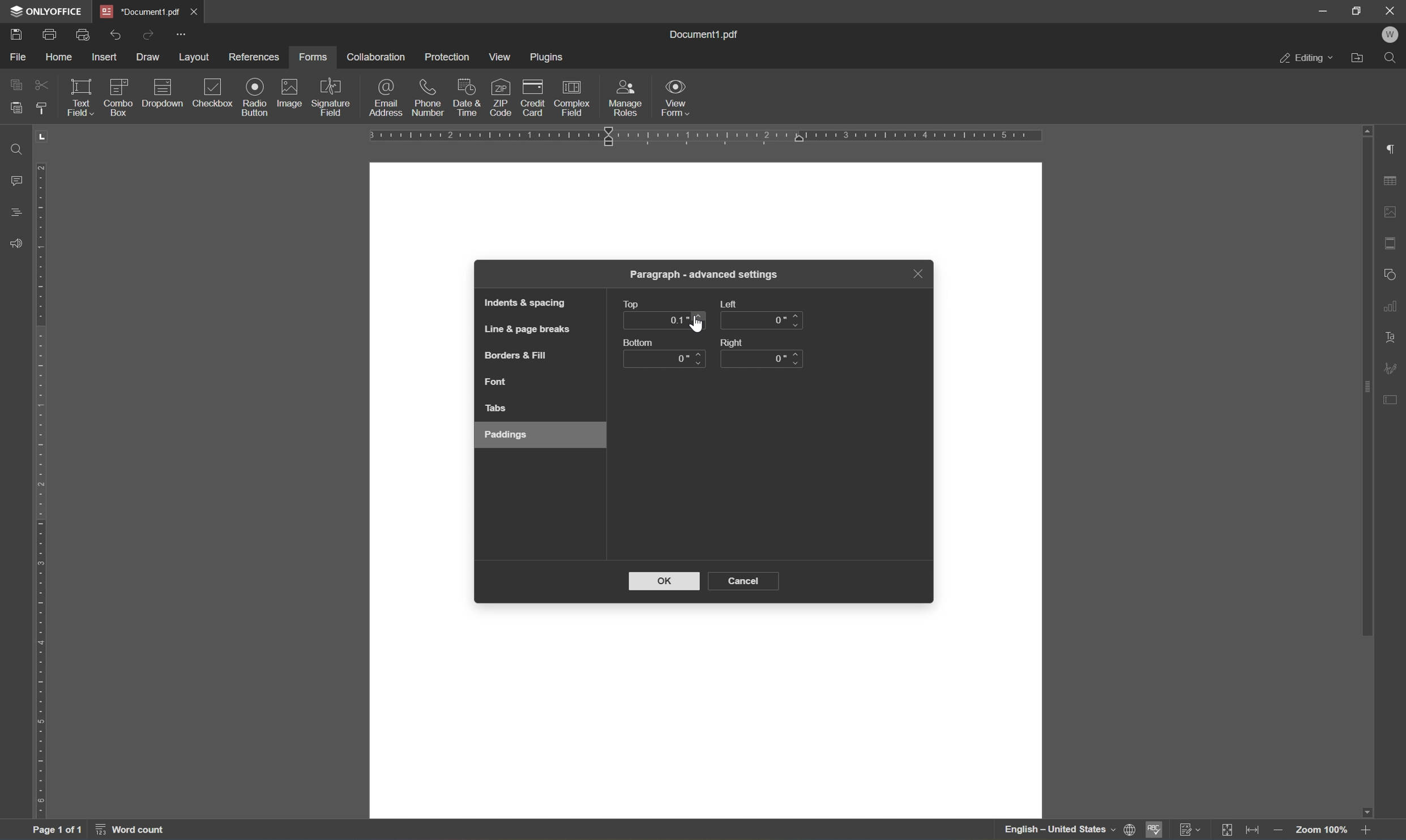 The height and width of the screenshot is (840, 1406). Describe the element at coordinates (17, 83) in the screenshot. I see `copy` at that location.